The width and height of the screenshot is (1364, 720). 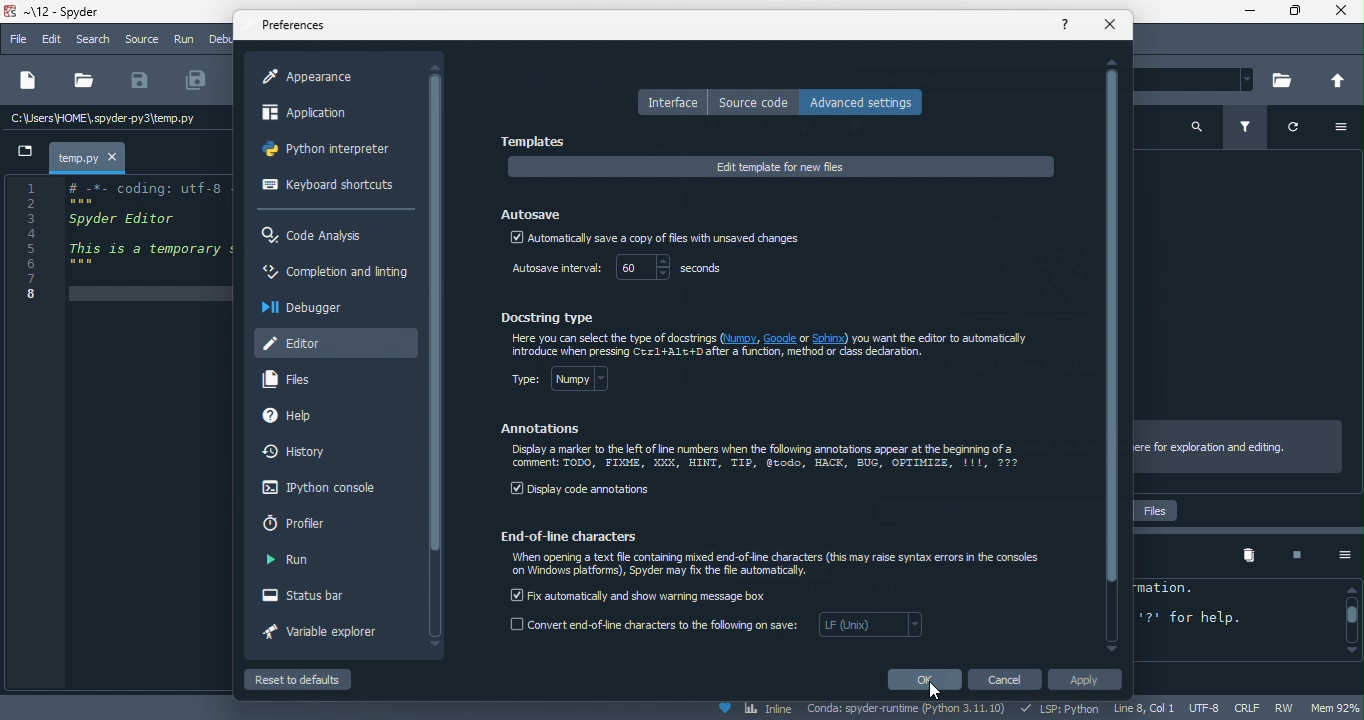 What do you see at coordinates (543, 429) in the screenshot?
I see `annotations` at bounding box center [543, 429].